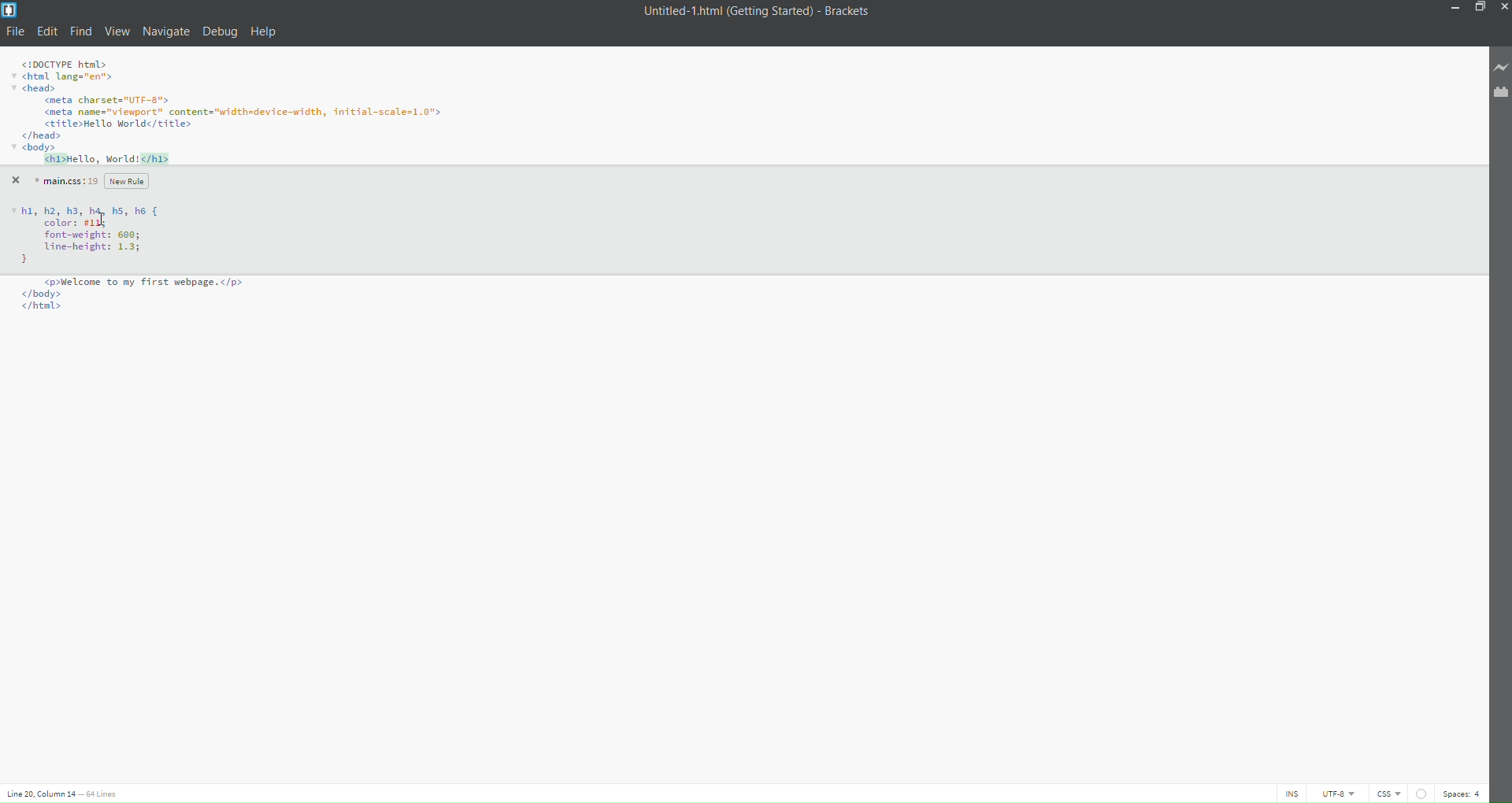 This screenshot has width=1512, height=803. I want to click on file type, so click(1385, 794).